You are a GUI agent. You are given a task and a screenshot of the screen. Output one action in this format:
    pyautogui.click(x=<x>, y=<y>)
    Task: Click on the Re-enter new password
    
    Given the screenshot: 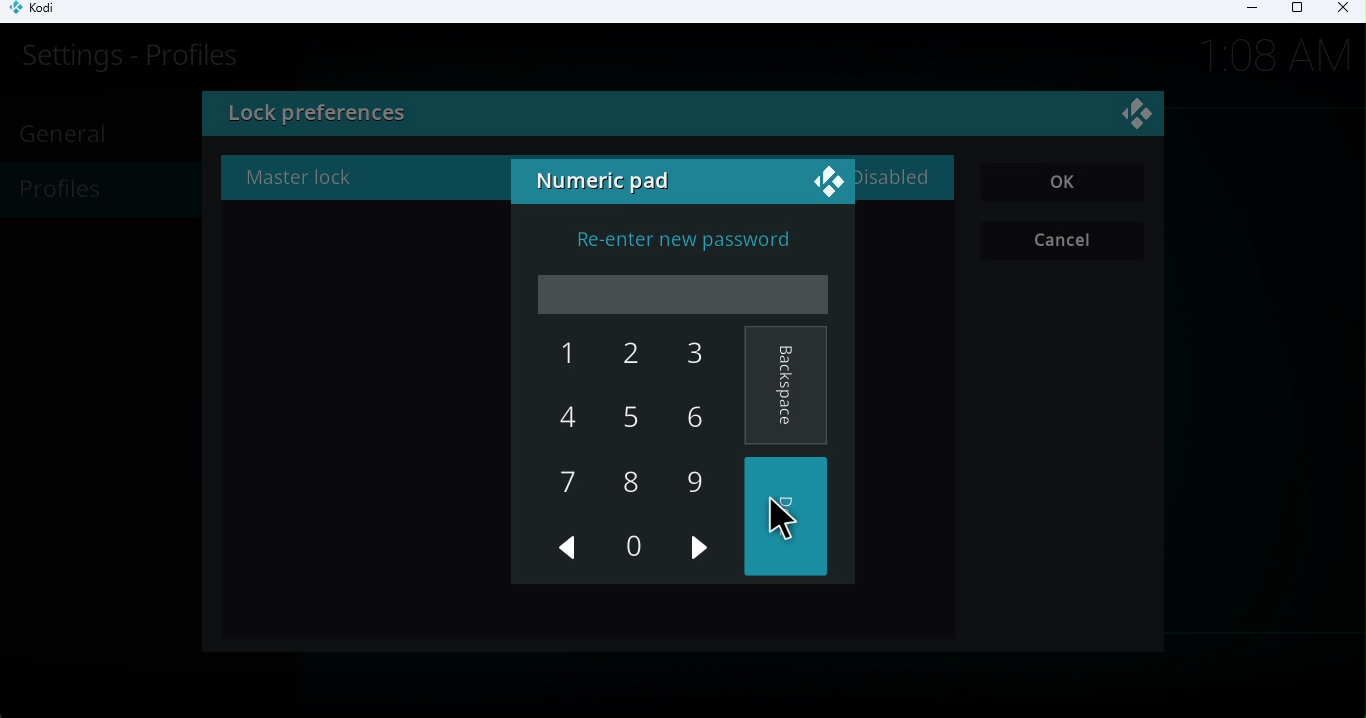 What is the action you would take?
    pyautogui.click(x=670, y=238)
    